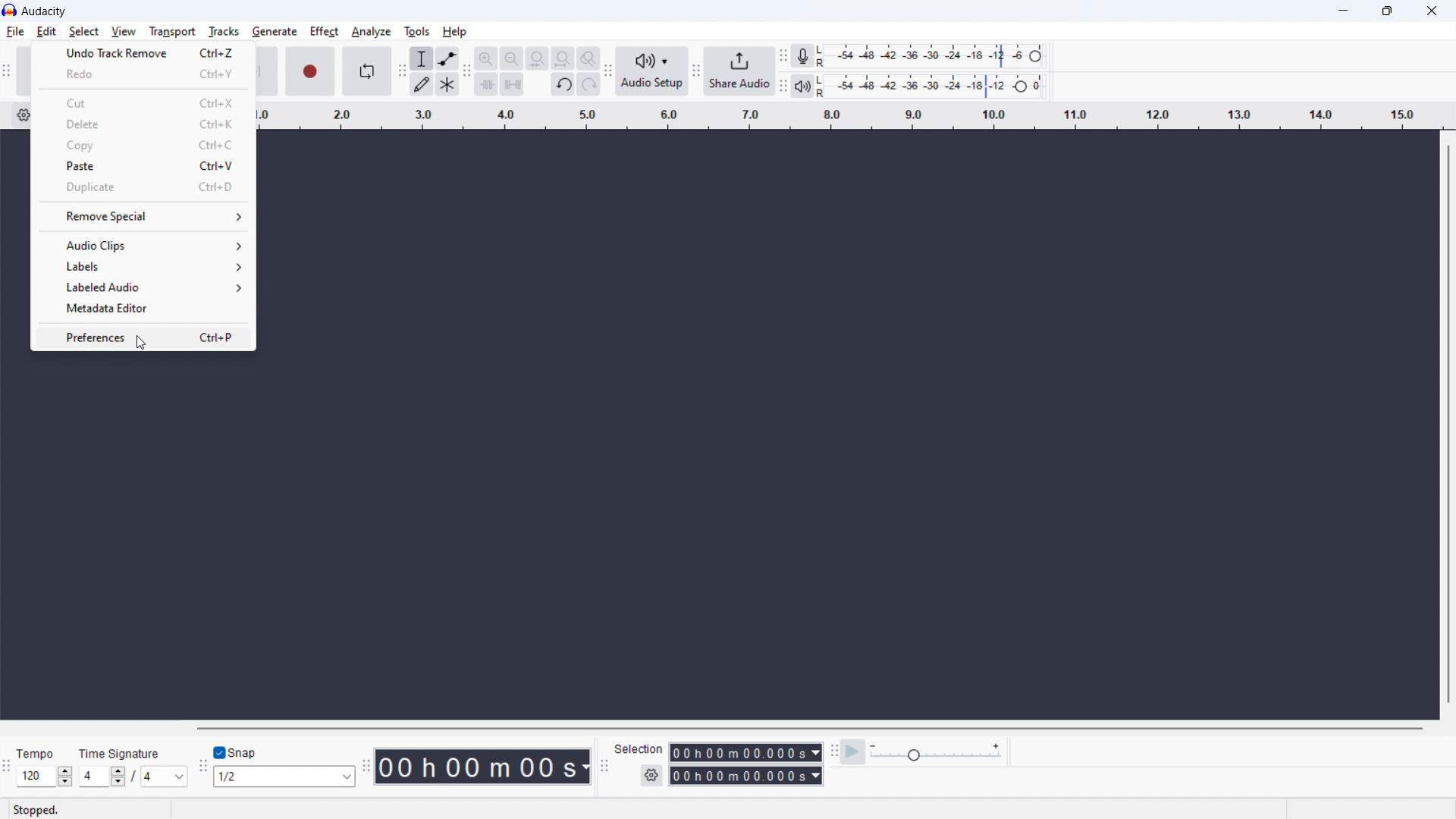 This screenshot has height=819, width=1456. I want to click on timeline settings, so click(23, 116).